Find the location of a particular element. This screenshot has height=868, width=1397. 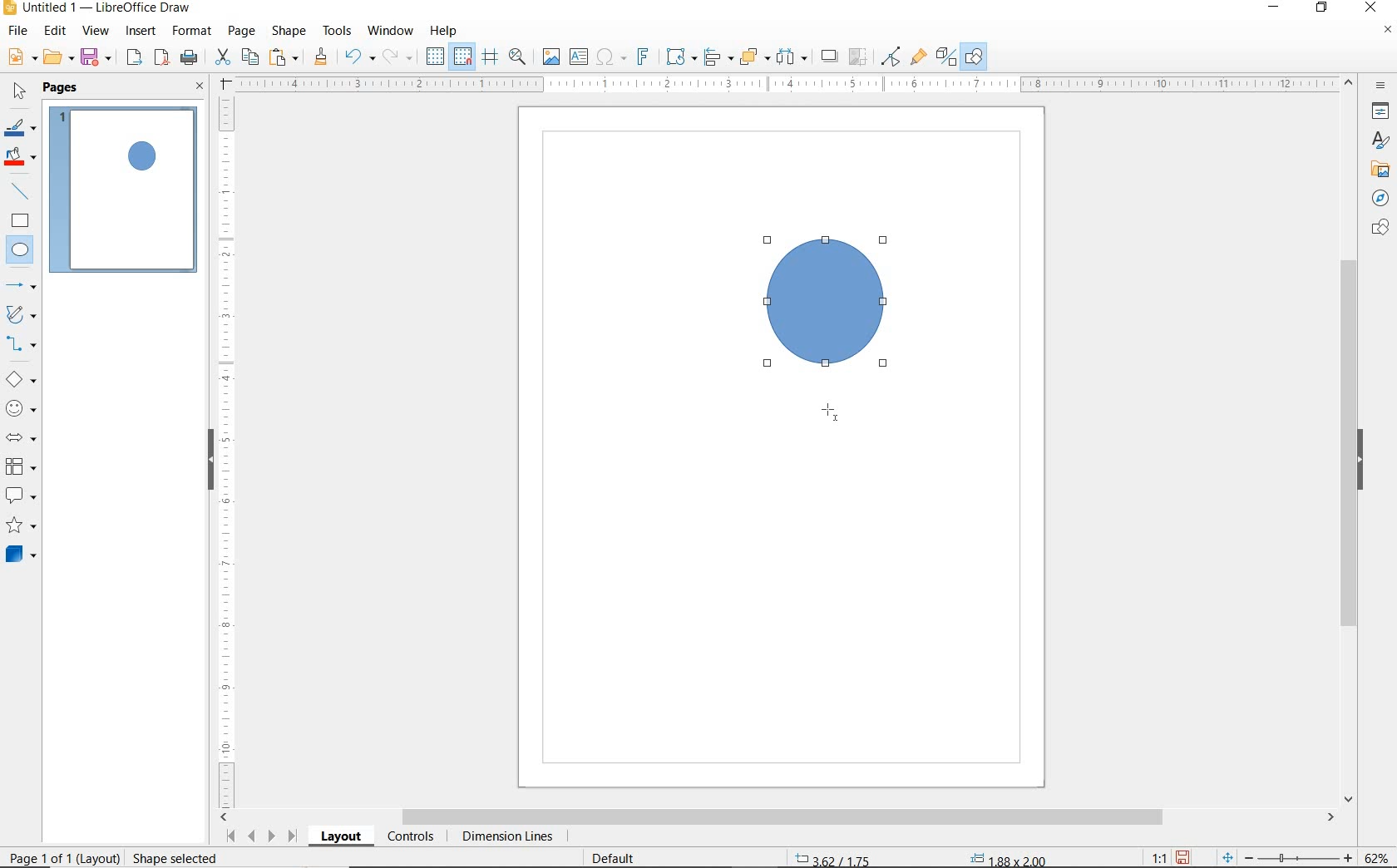

ELLIPSE TOOL is located at coordinates (770, 368).